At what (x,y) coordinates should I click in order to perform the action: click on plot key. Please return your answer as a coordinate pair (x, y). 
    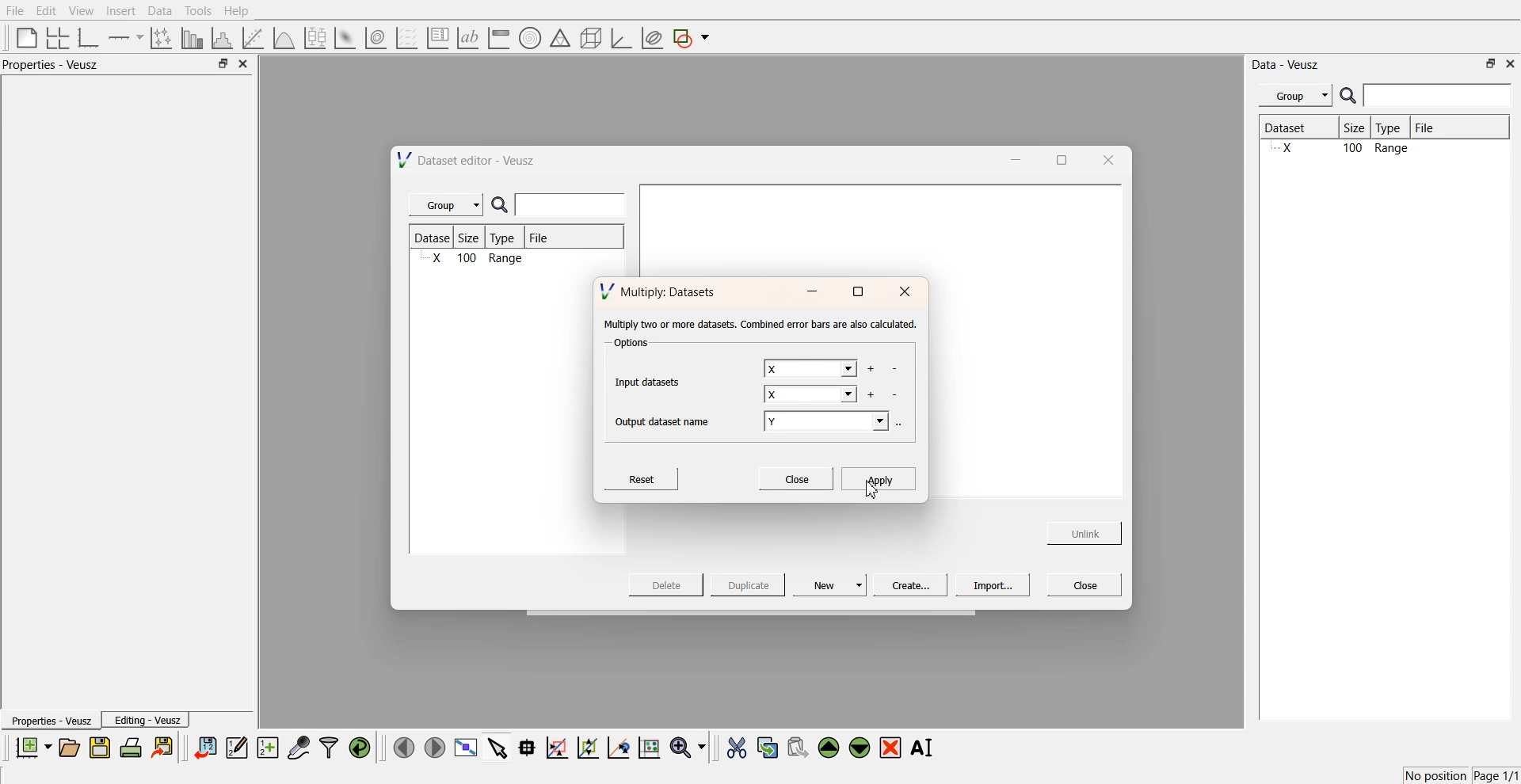
    Looking at the image, I should click on (437, 38).